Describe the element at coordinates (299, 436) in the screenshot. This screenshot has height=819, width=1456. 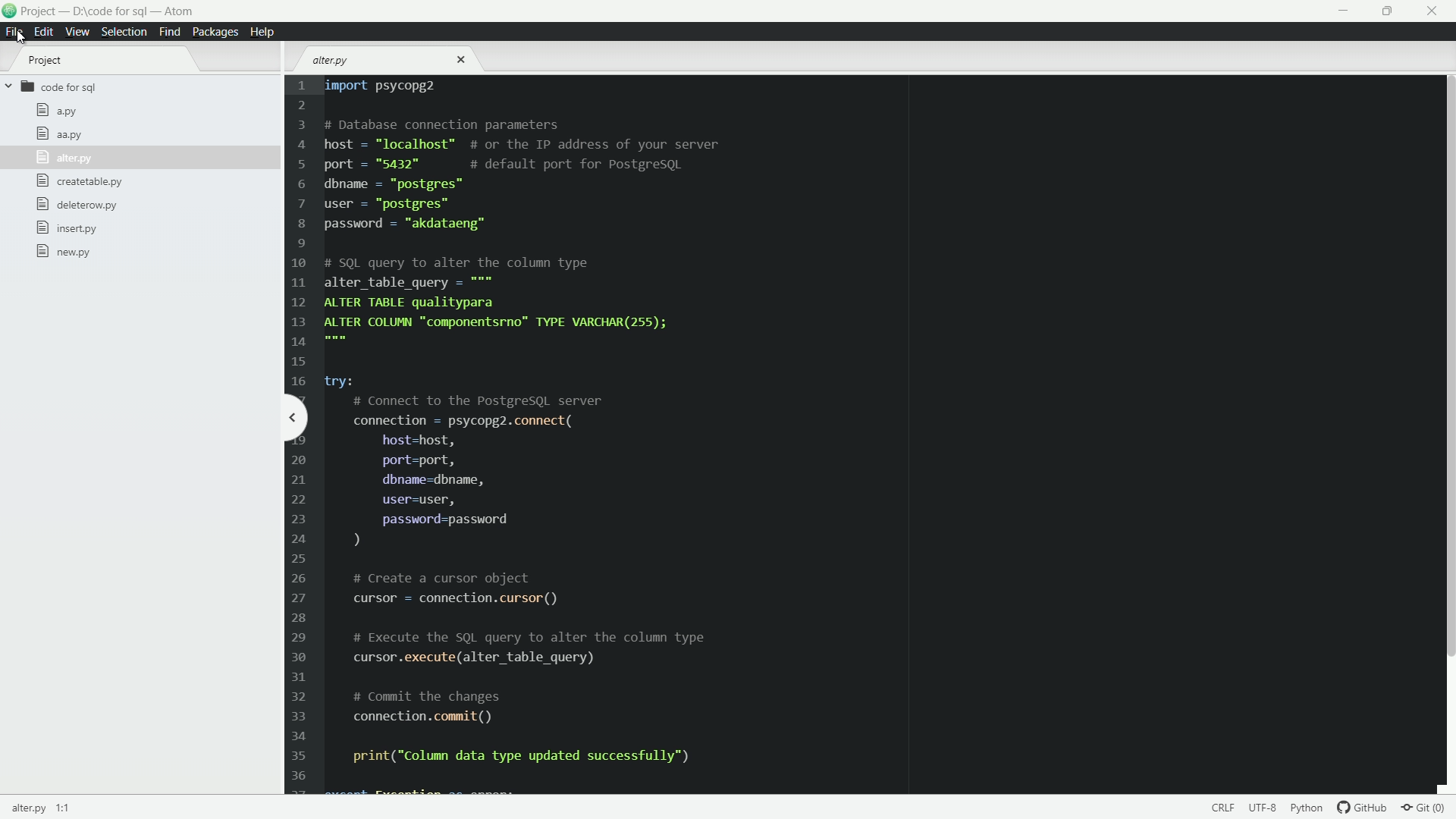
I see `line number` at that location.